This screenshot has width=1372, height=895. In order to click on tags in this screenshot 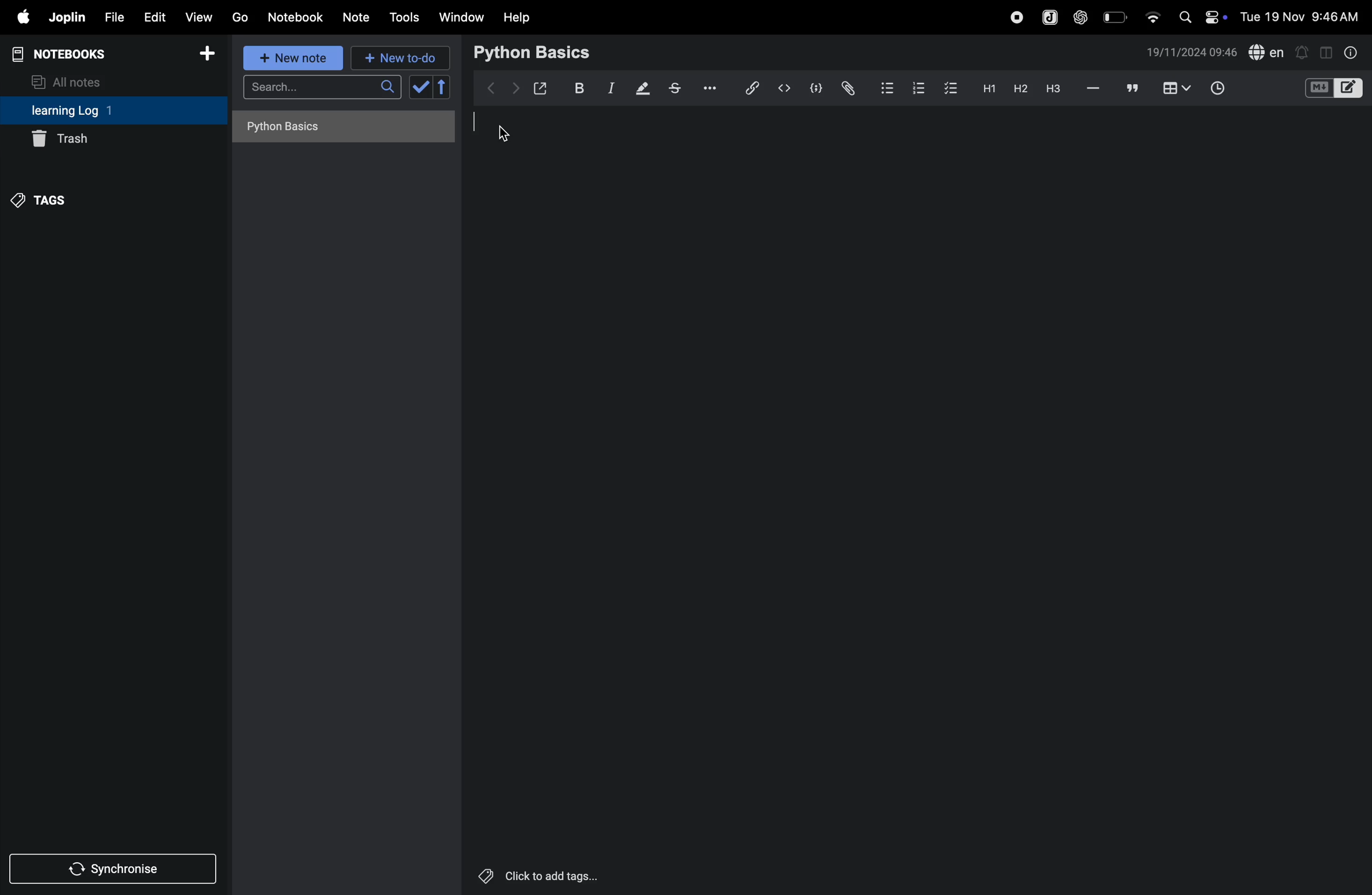, I will do `click(42, 198)`.